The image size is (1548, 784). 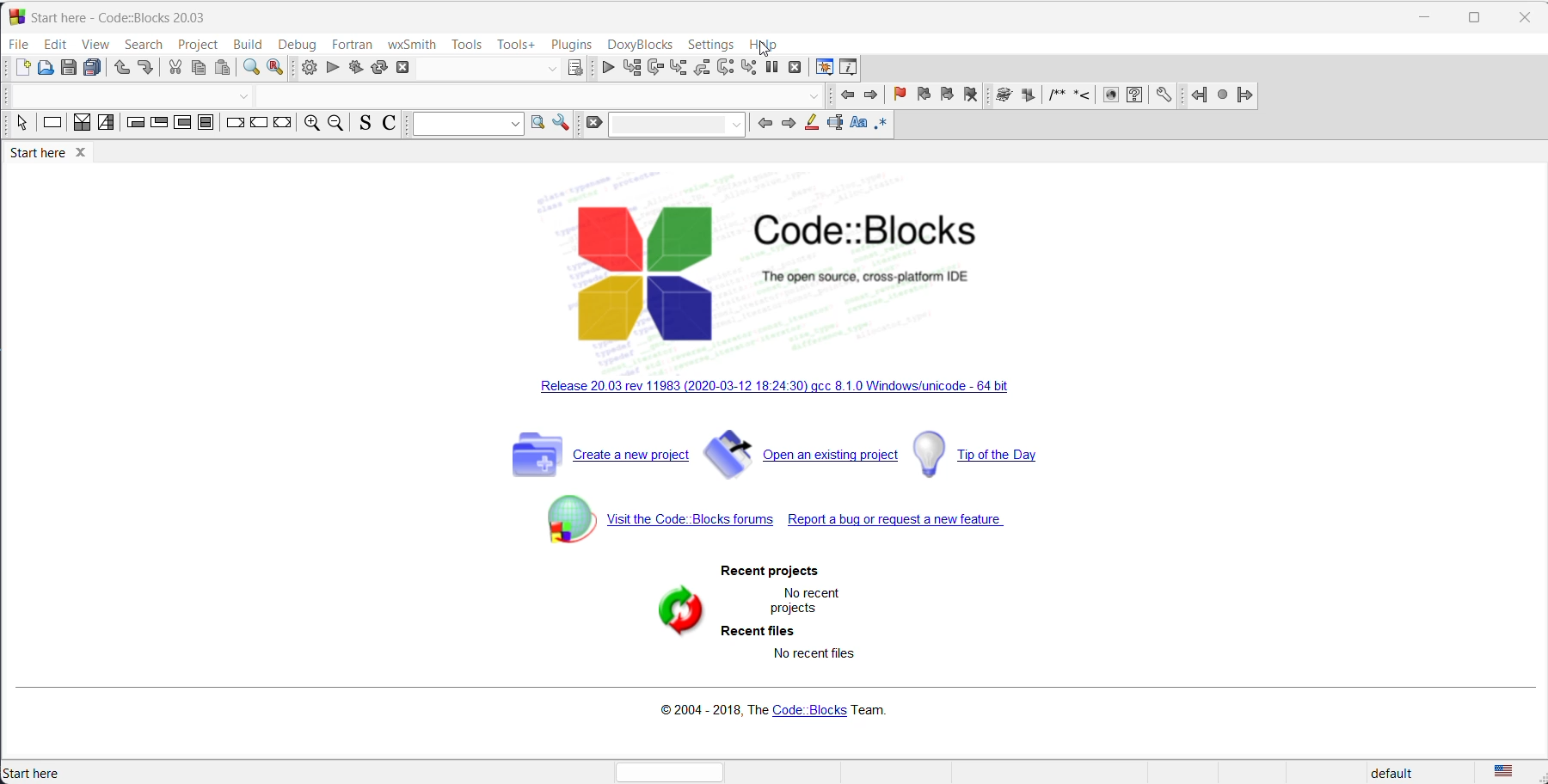 What do you see at coordinates (307, 67) in the screenshot?
I see `build` at bounding box center [307, 67].